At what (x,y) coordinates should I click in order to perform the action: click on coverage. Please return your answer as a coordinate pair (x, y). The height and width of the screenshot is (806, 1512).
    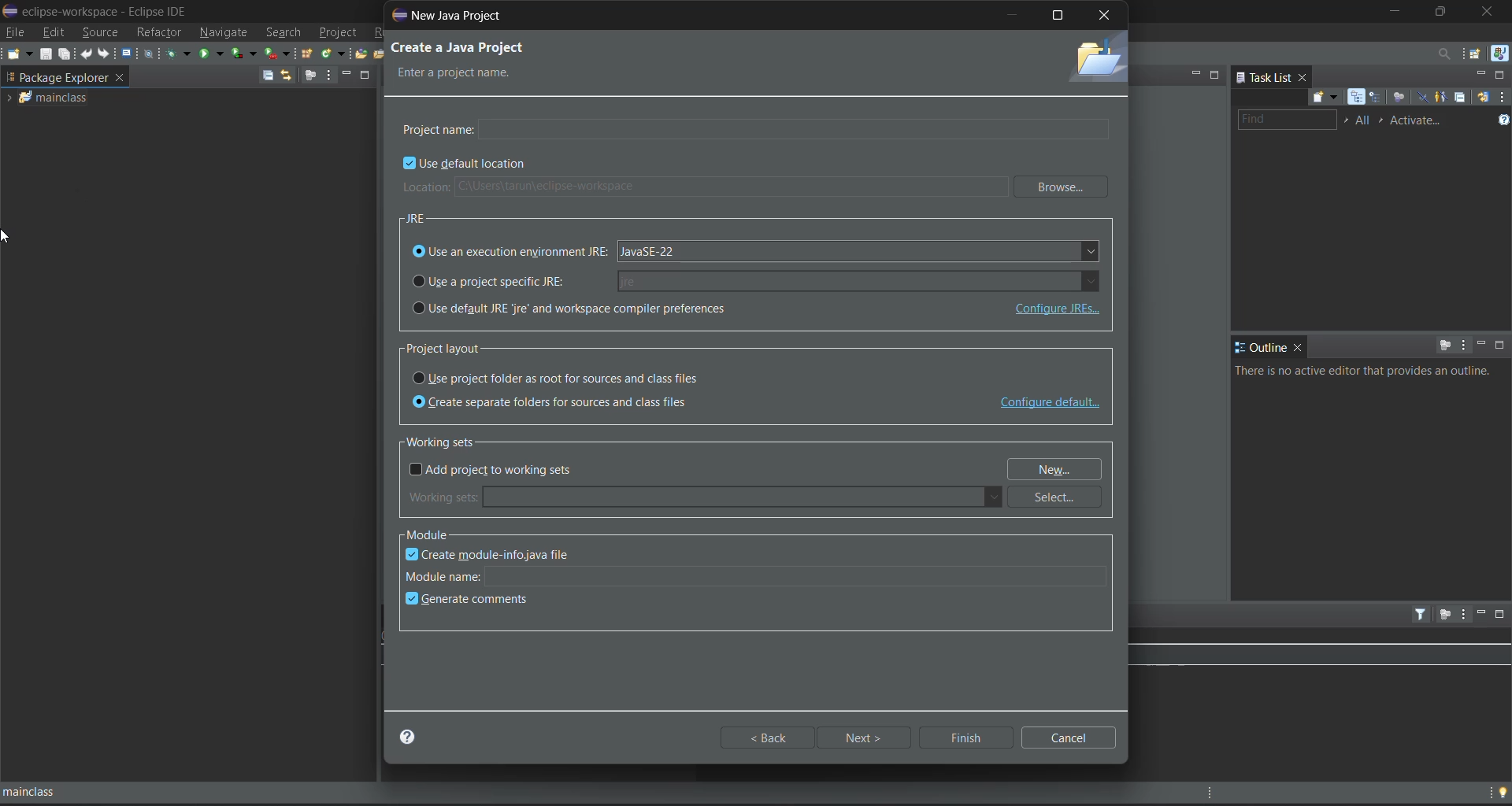
    Looking at the image, I should click on (243, 52).